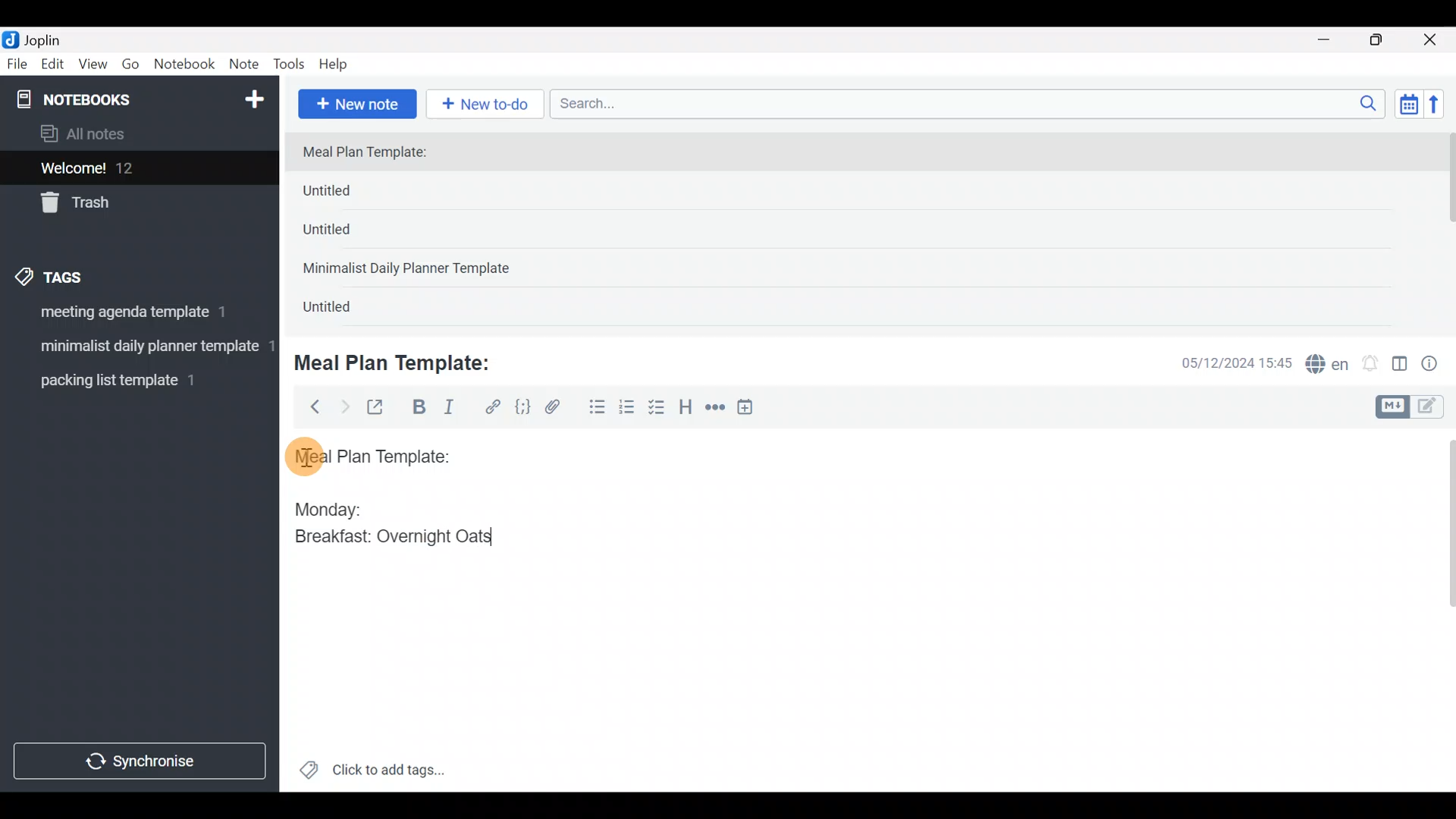  What do you see at coordinates (381, 408) in the screenshot?
I see `Toggle external editing` at bounding box center [381, 408].